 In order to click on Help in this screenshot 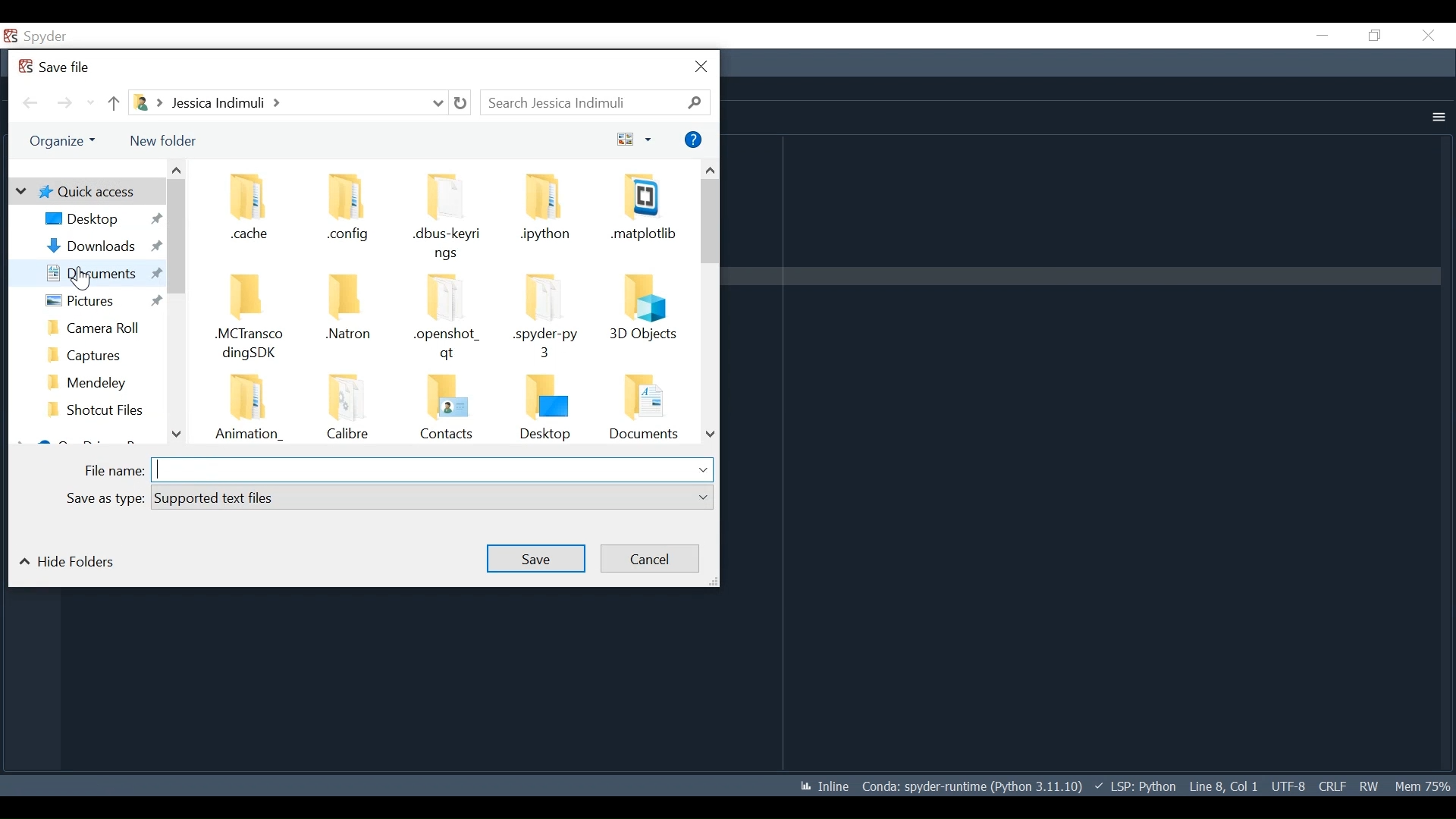, I will do `click(694, 140)`.